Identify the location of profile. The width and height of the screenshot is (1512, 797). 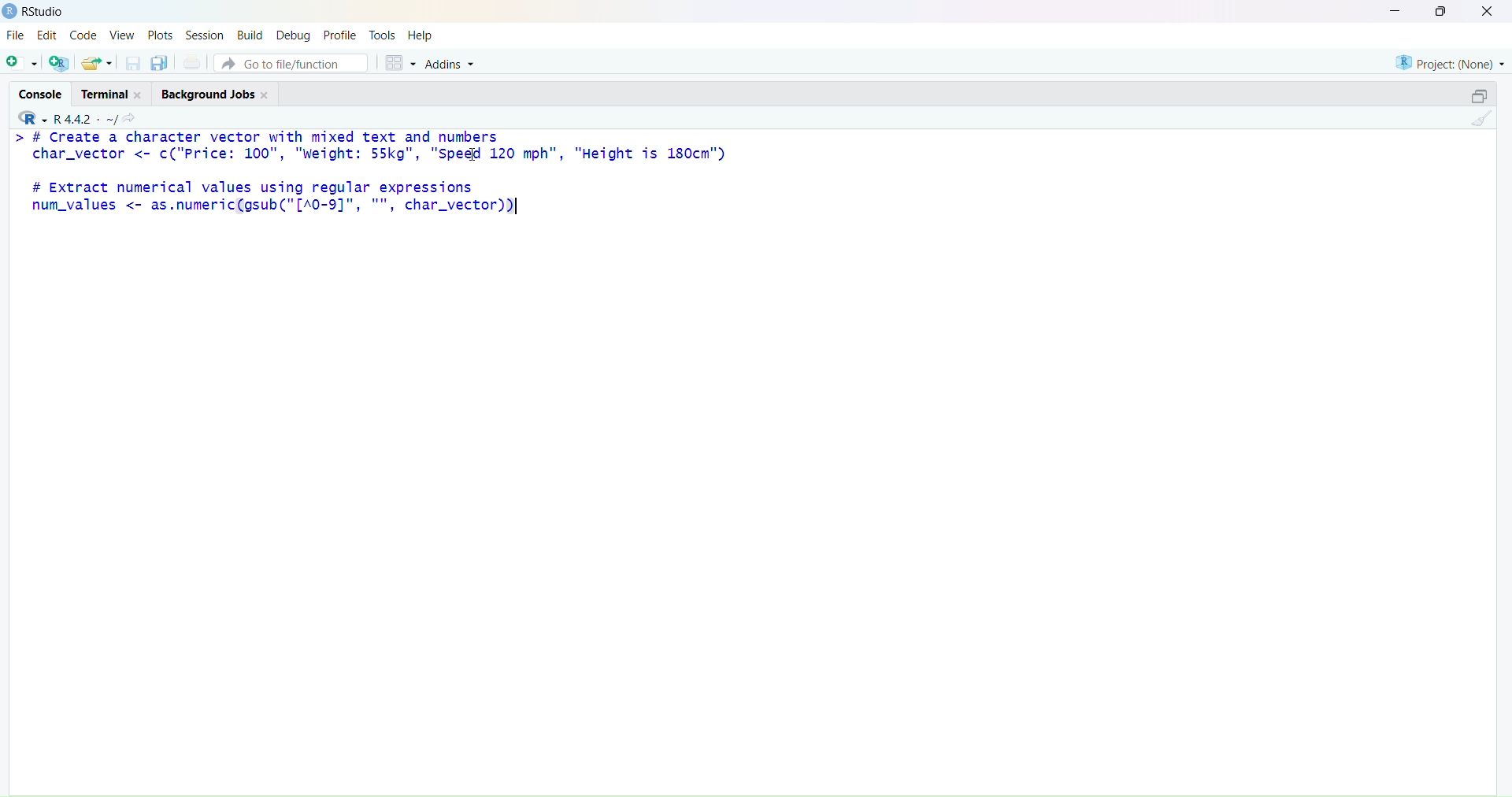
(340, 36).